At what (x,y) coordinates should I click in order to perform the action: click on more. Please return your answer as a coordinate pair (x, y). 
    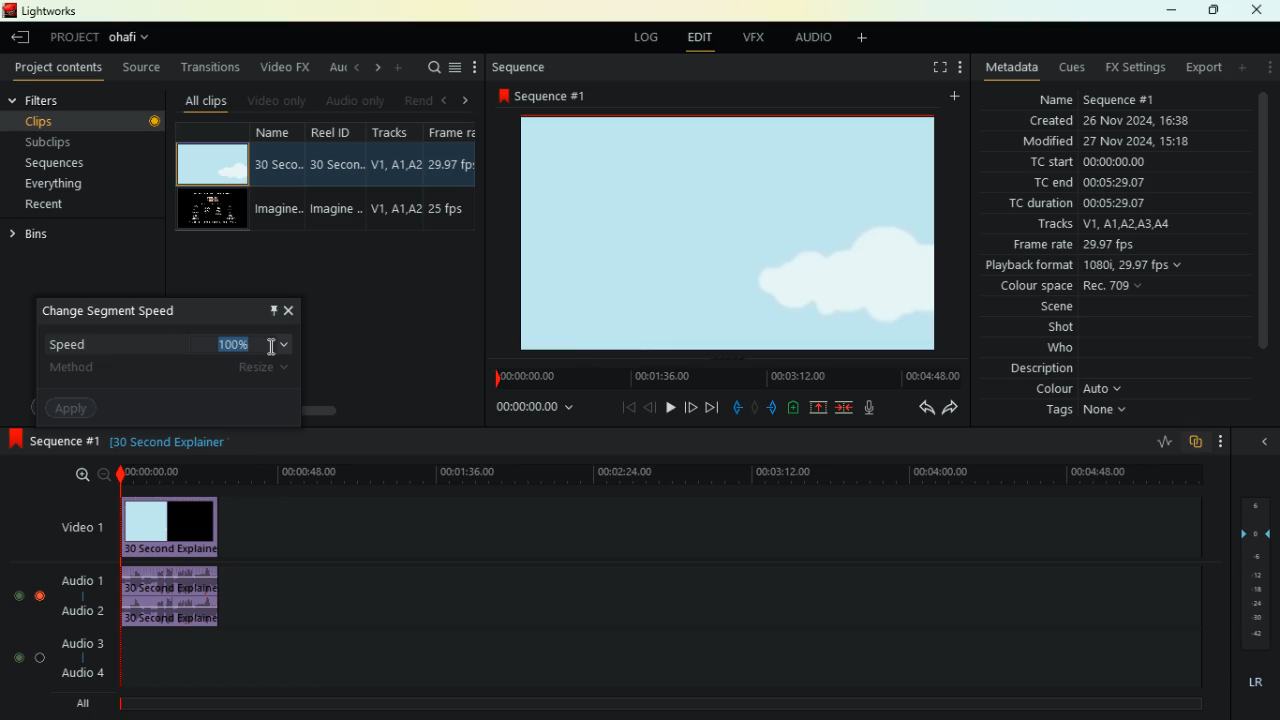
    Looking at the image, I should click on (477, 68).